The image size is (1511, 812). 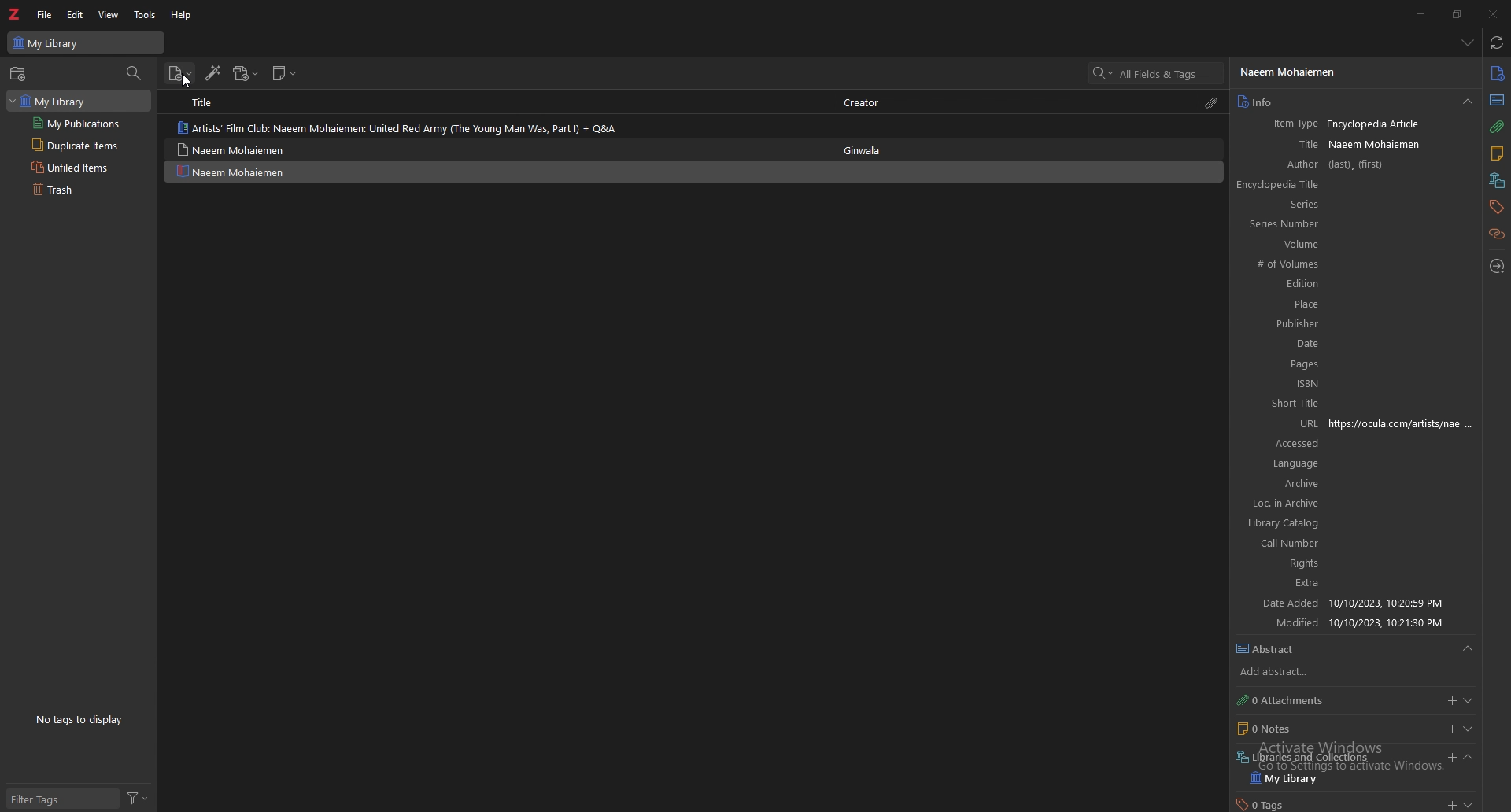 What do you see at coordinates (1278, 505) in the screenshot?
I see `loc in archive` at bounding box center [1278, 505].